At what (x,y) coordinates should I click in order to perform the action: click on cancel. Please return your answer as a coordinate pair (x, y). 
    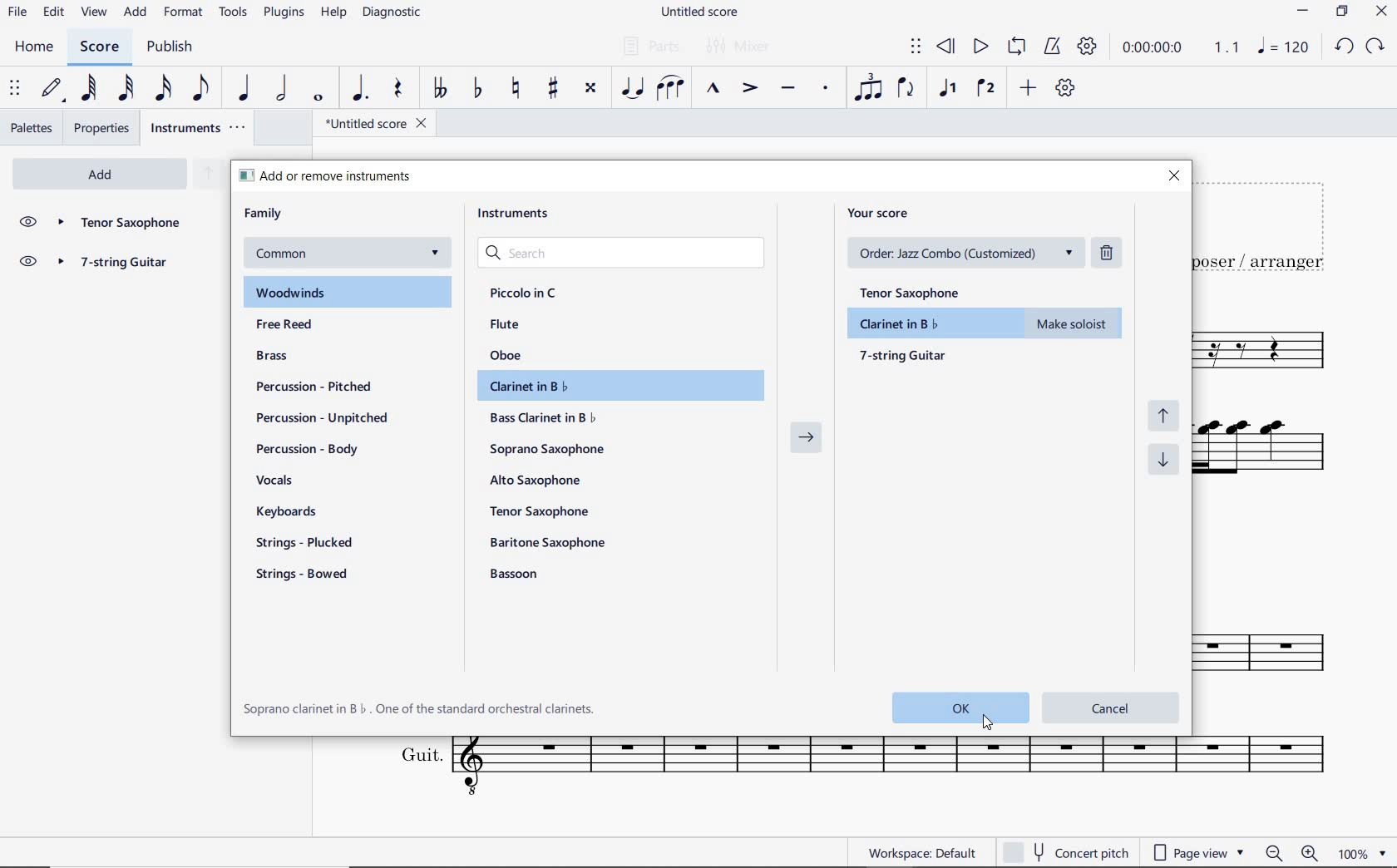
    Looking at the image, I should click on (1112, 706).